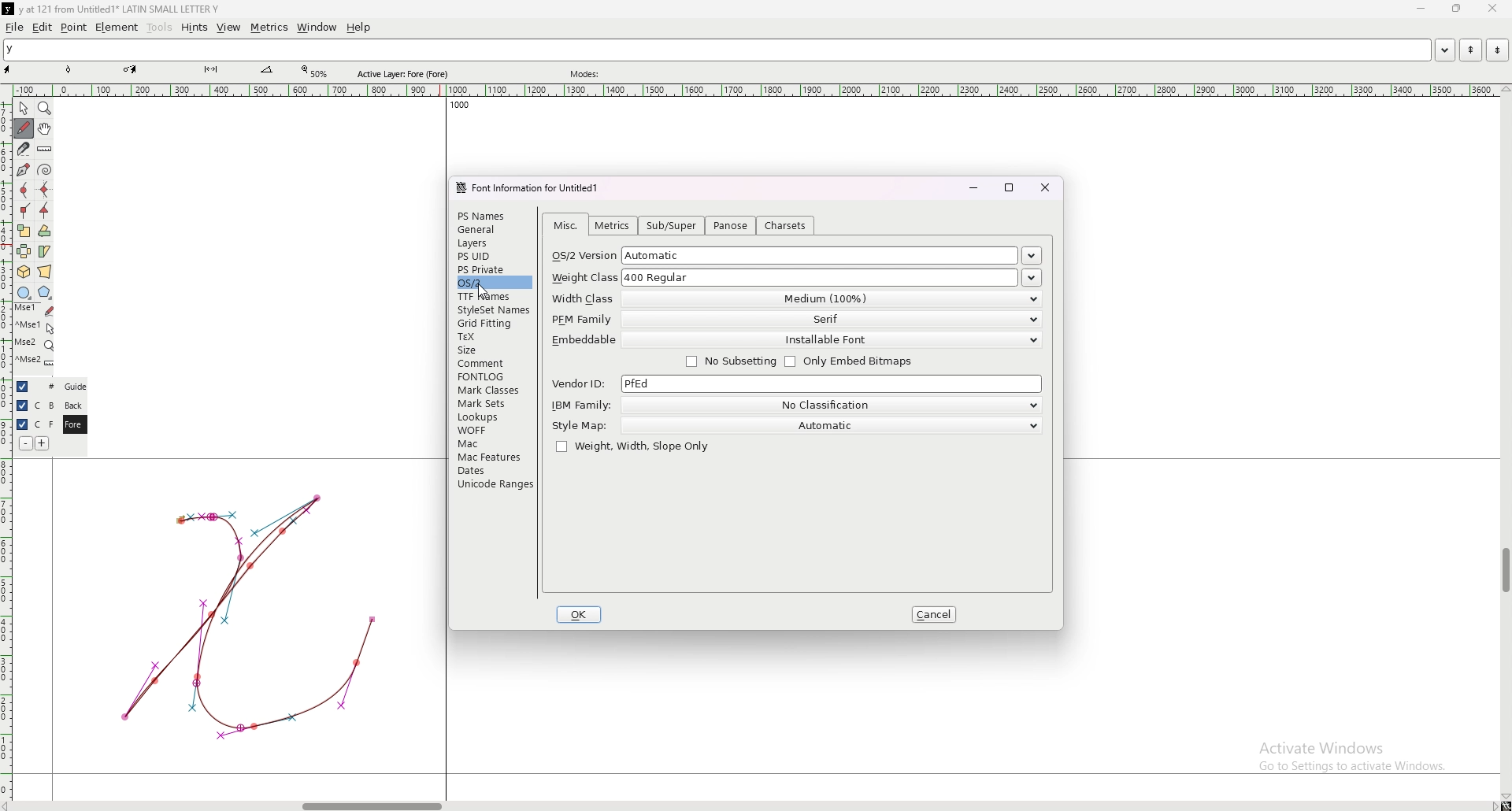  What do you see at coordinates (1444, 50) in the screenshot?
I see `open word list` at bounding box center [1444, 50].